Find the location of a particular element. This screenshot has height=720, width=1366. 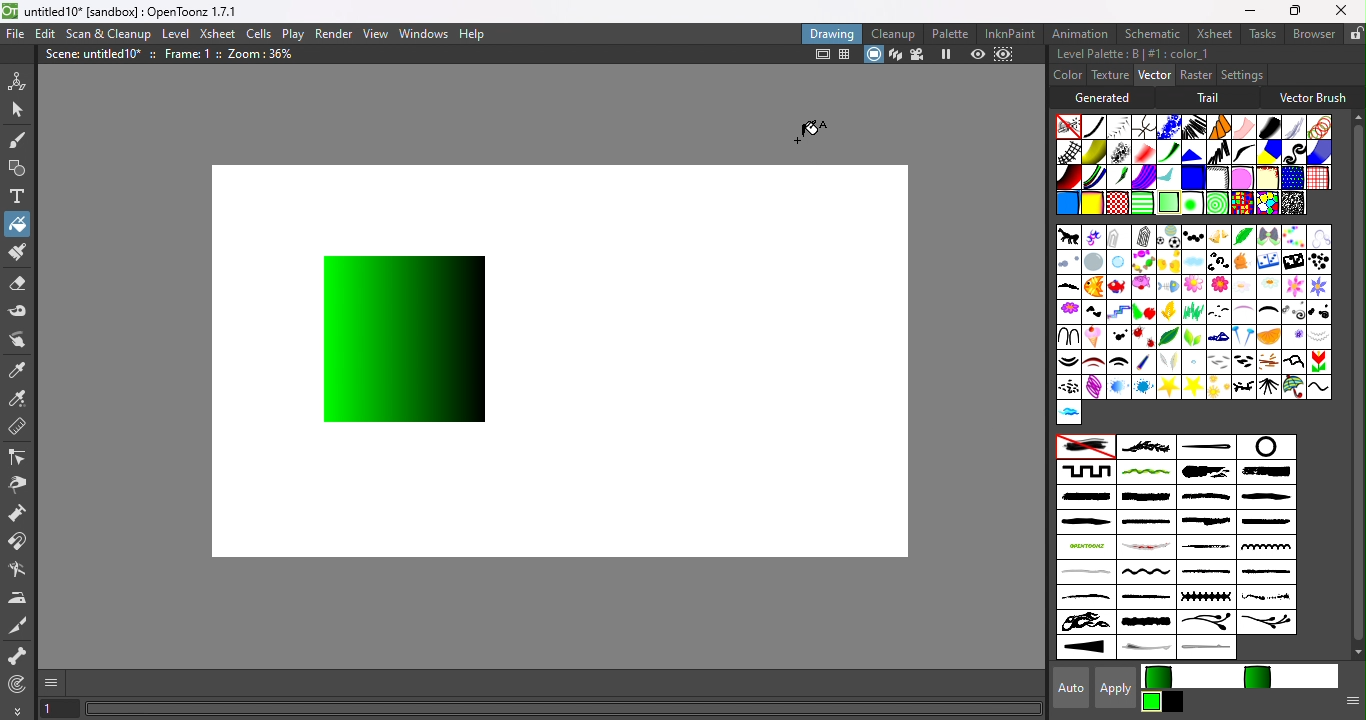

Generated is located at coordinates (1107, 97).